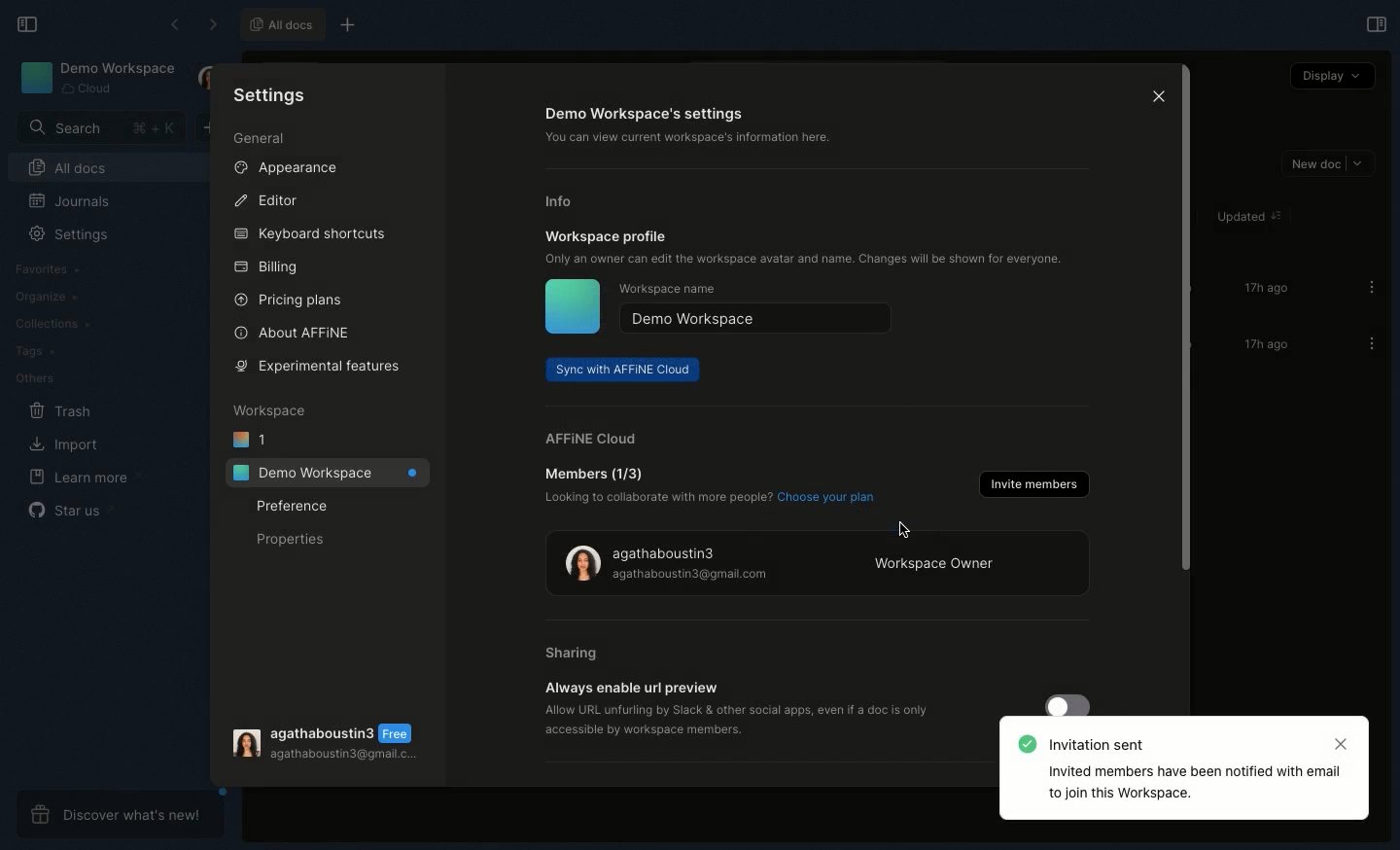  What do you see at coordinates (115, 167) in the screenshot?
I see `All docs` at bounding box center [115, 167].